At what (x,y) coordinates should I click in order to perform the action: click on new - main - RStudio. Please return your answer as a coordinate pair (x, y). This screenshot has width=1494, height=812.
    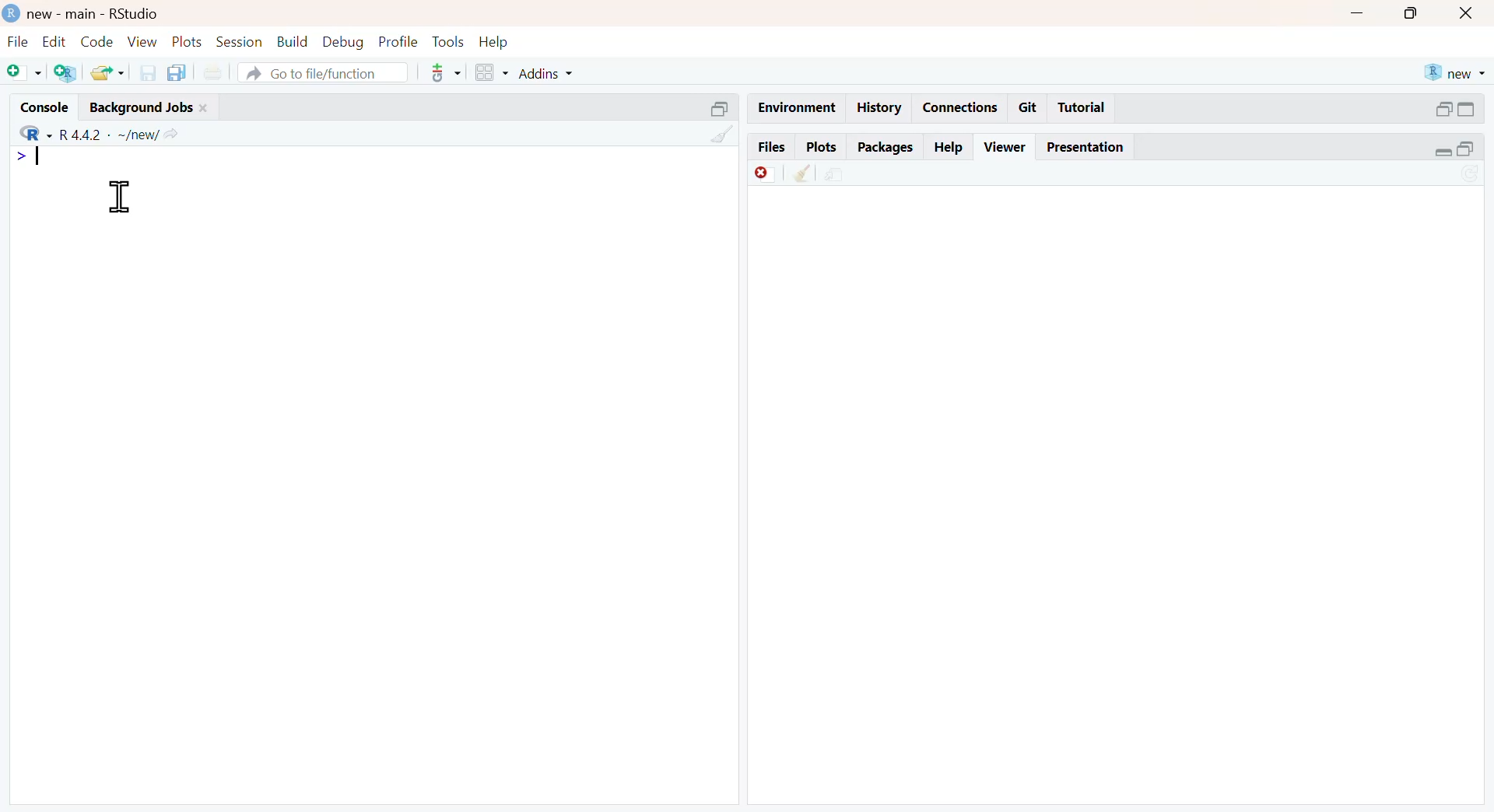
    Looking at the image, I should click on (93, 15).